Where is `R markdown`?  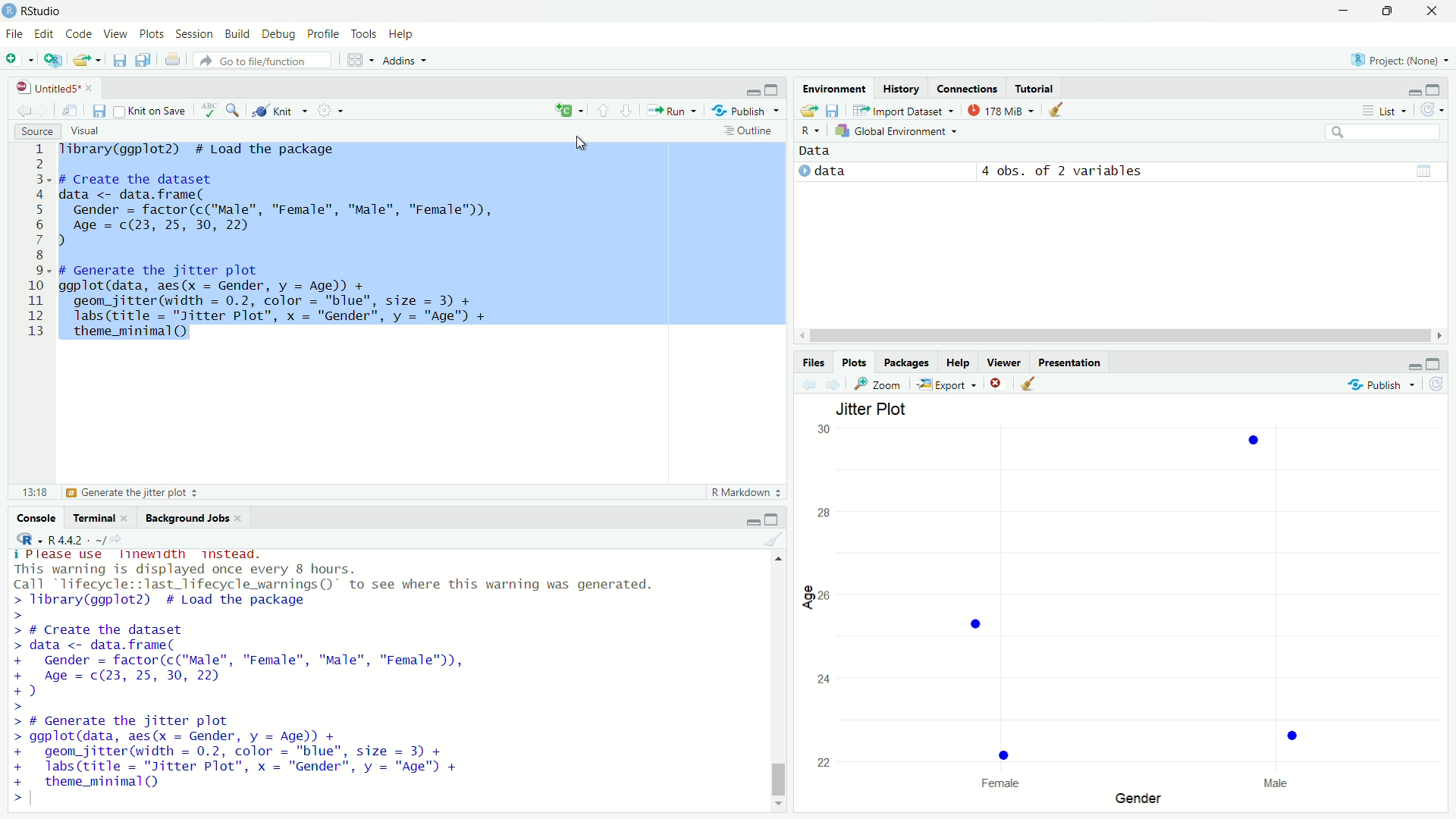
R markdown is located at coordinates (746, 491).